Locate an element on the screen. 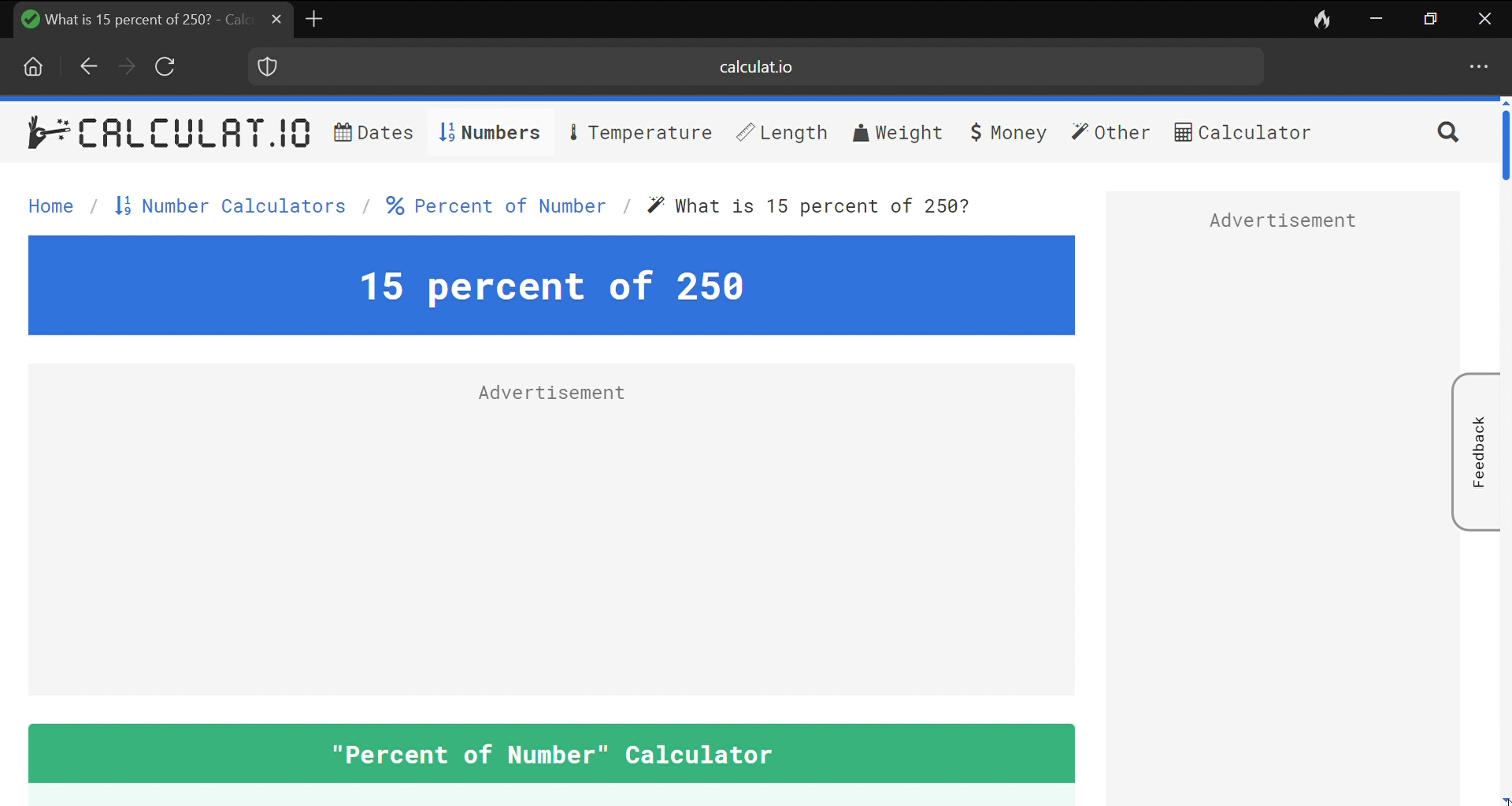  calculat.io logo is located at coordinates (46, 131).